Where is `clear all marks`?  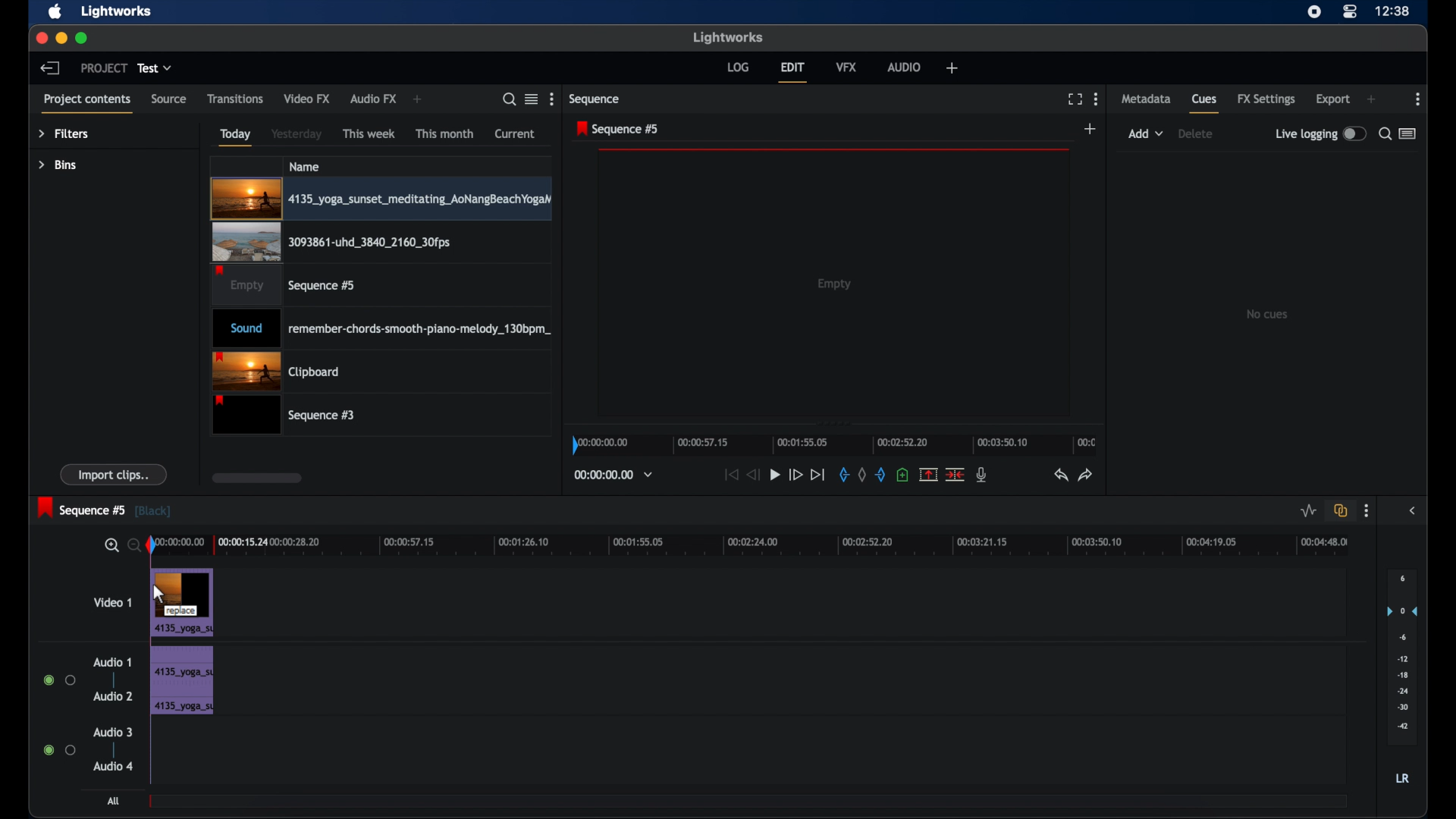 clear all marks is located at coordinates (861, 474).